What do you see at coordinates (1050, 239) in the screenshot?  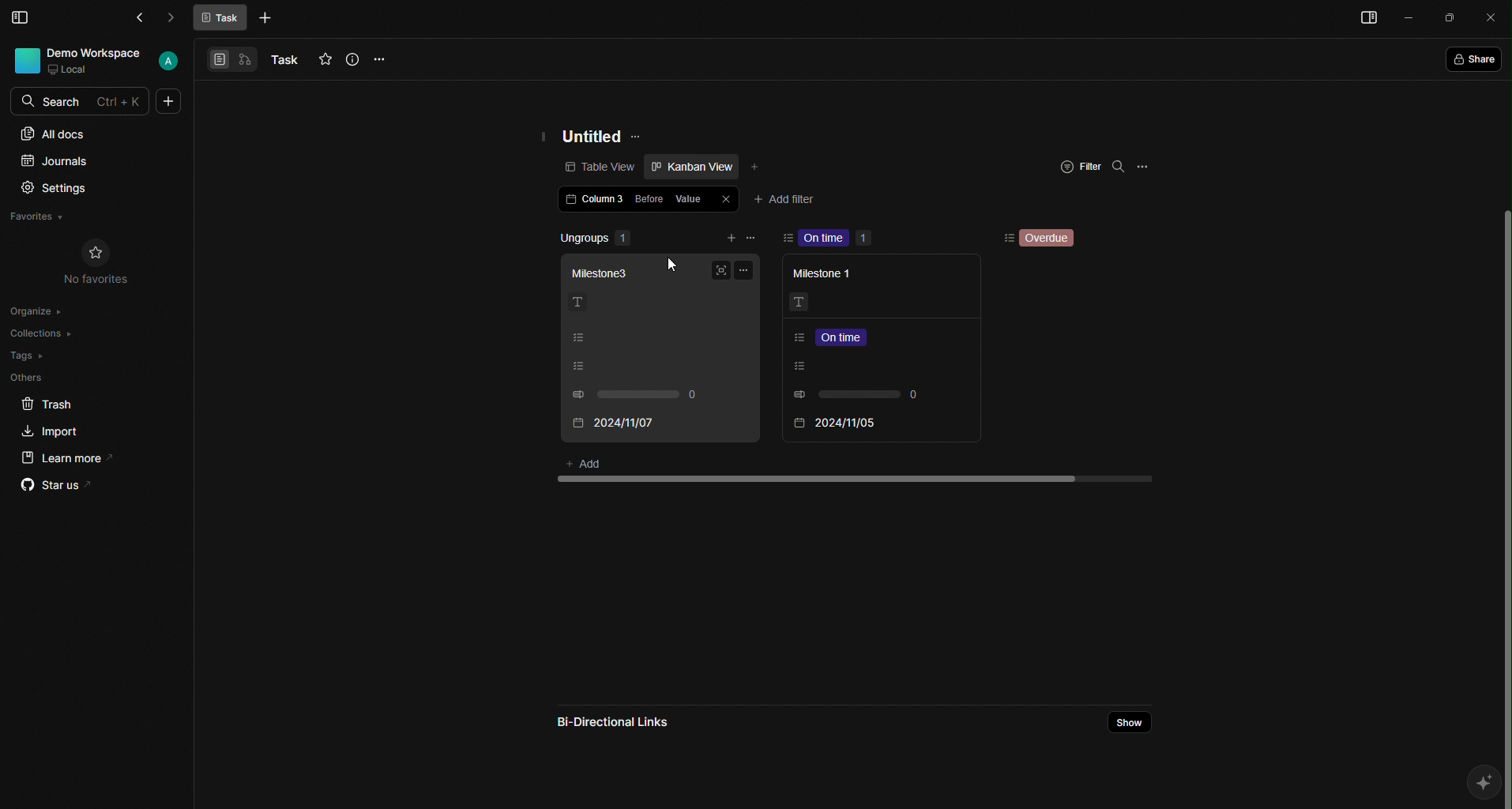 I see `Overdue` at bounding box center [1050, 239].